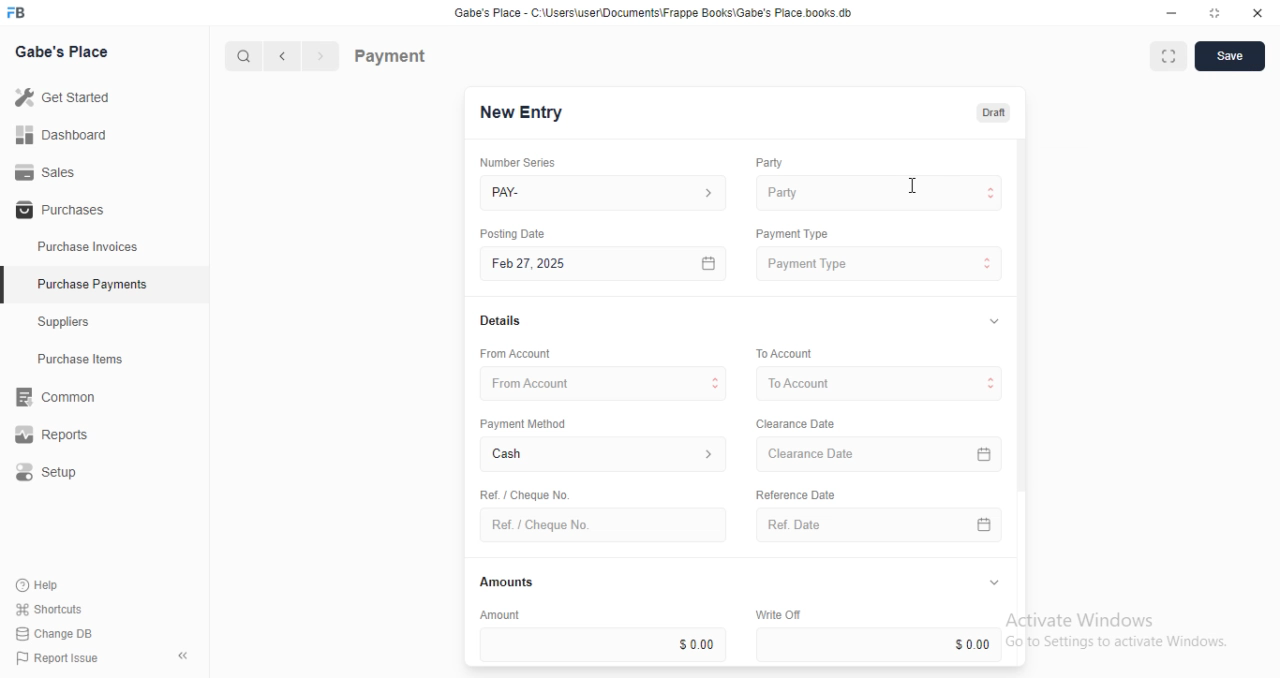 This screenshot has height=678, width=1280. I want to click on Number Series, so click(510, 162).